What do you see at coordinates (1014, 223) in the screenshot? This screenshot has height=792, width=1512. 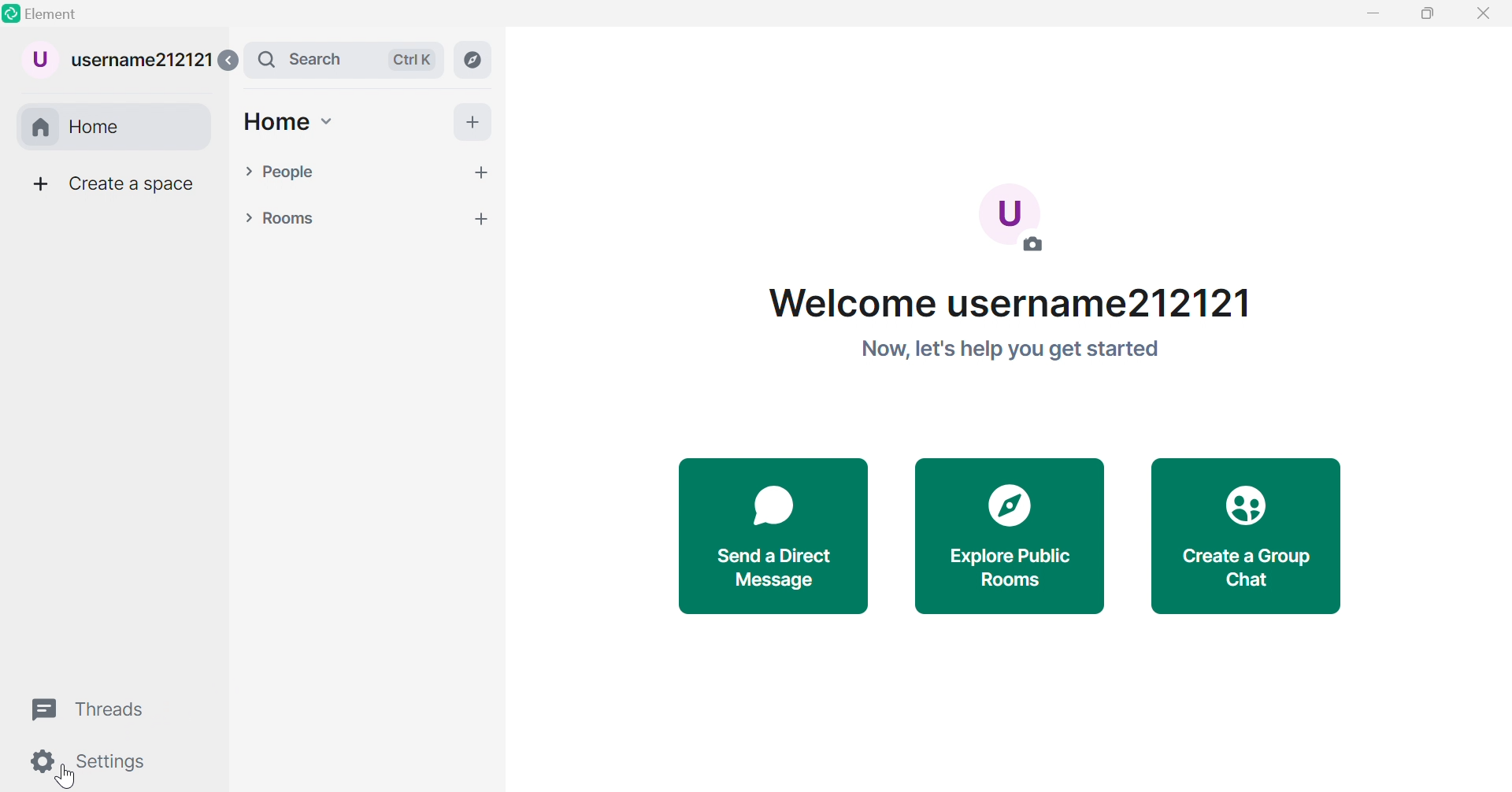 I see `Add a photo so people know it's you.` at bounding box center [1014, 223].